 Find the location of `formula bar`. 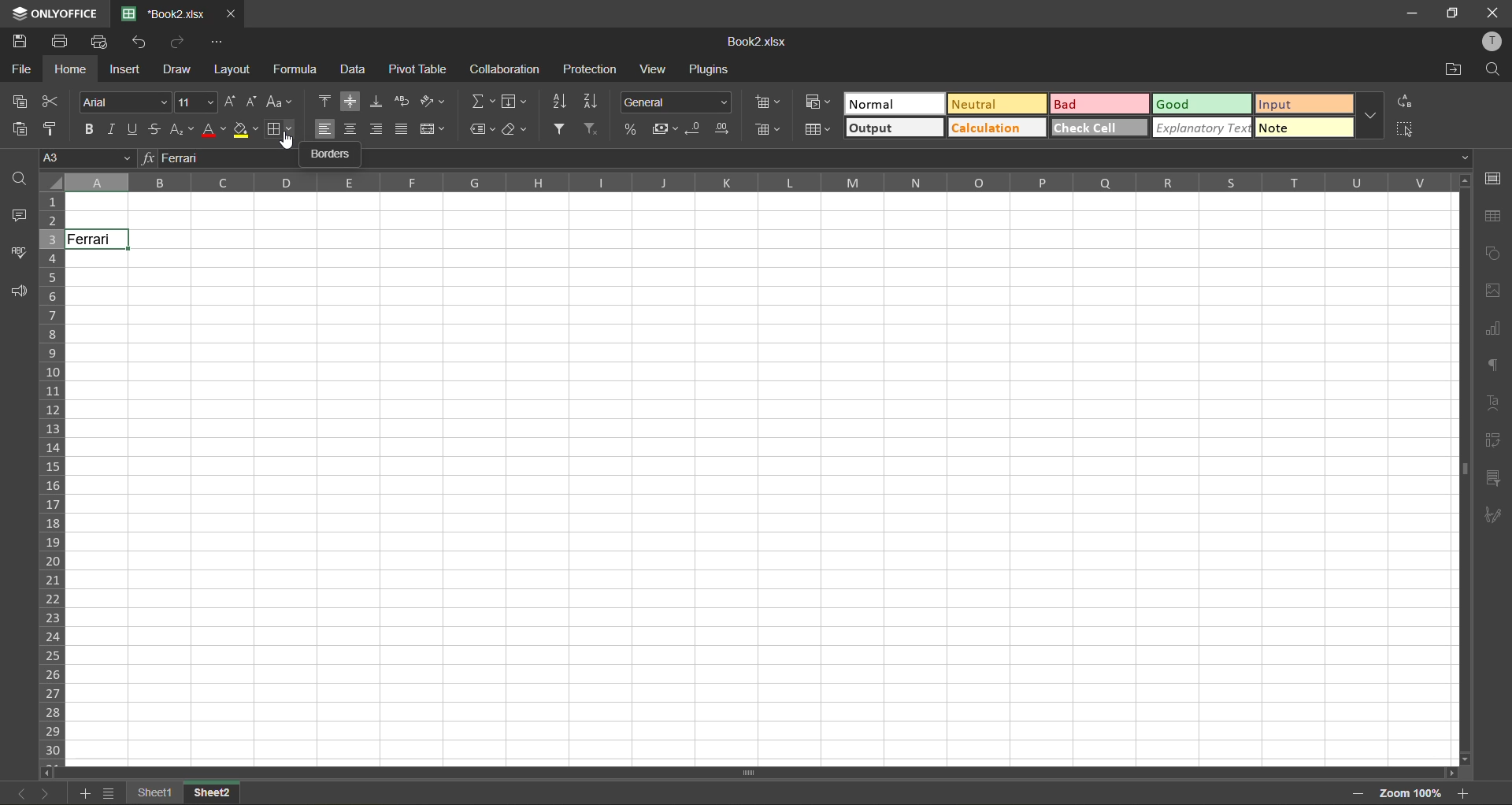

formula bar is located at coordinates (806, 158).